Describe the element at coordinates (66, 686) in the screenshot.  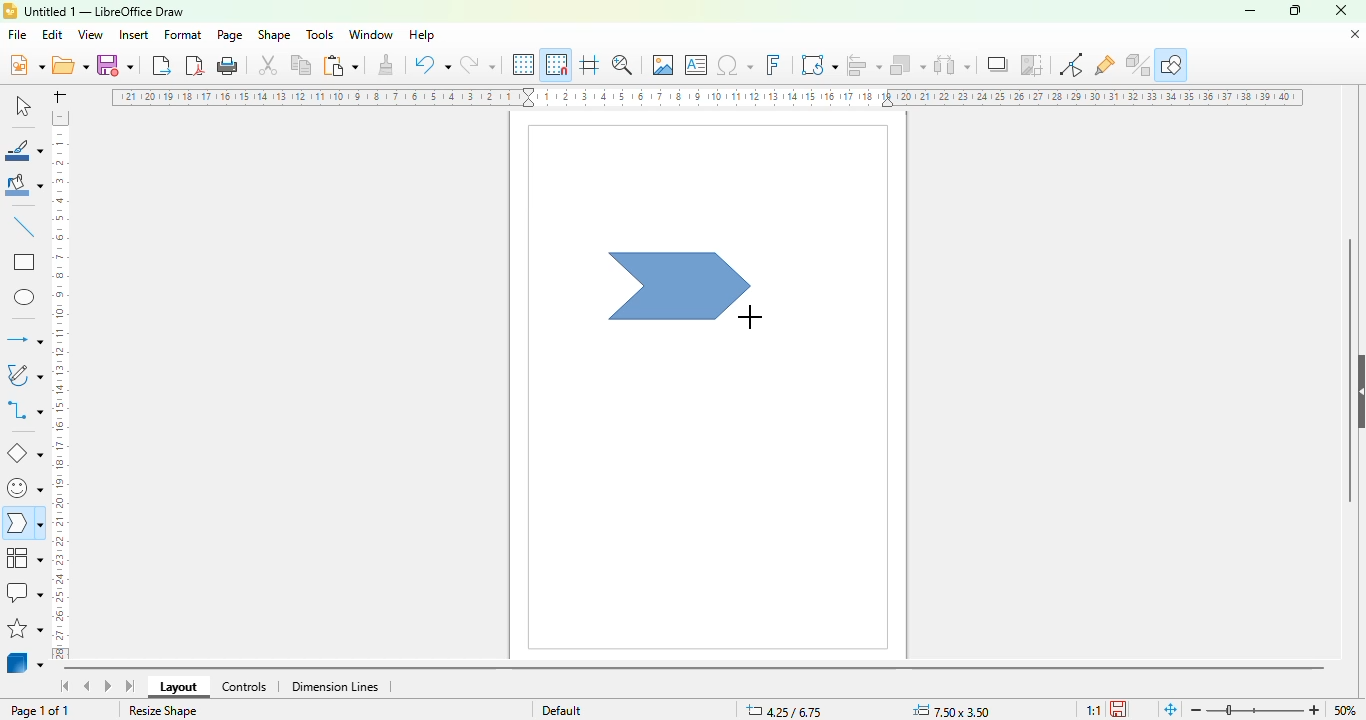
I see `scroll to first sheet` at that location.